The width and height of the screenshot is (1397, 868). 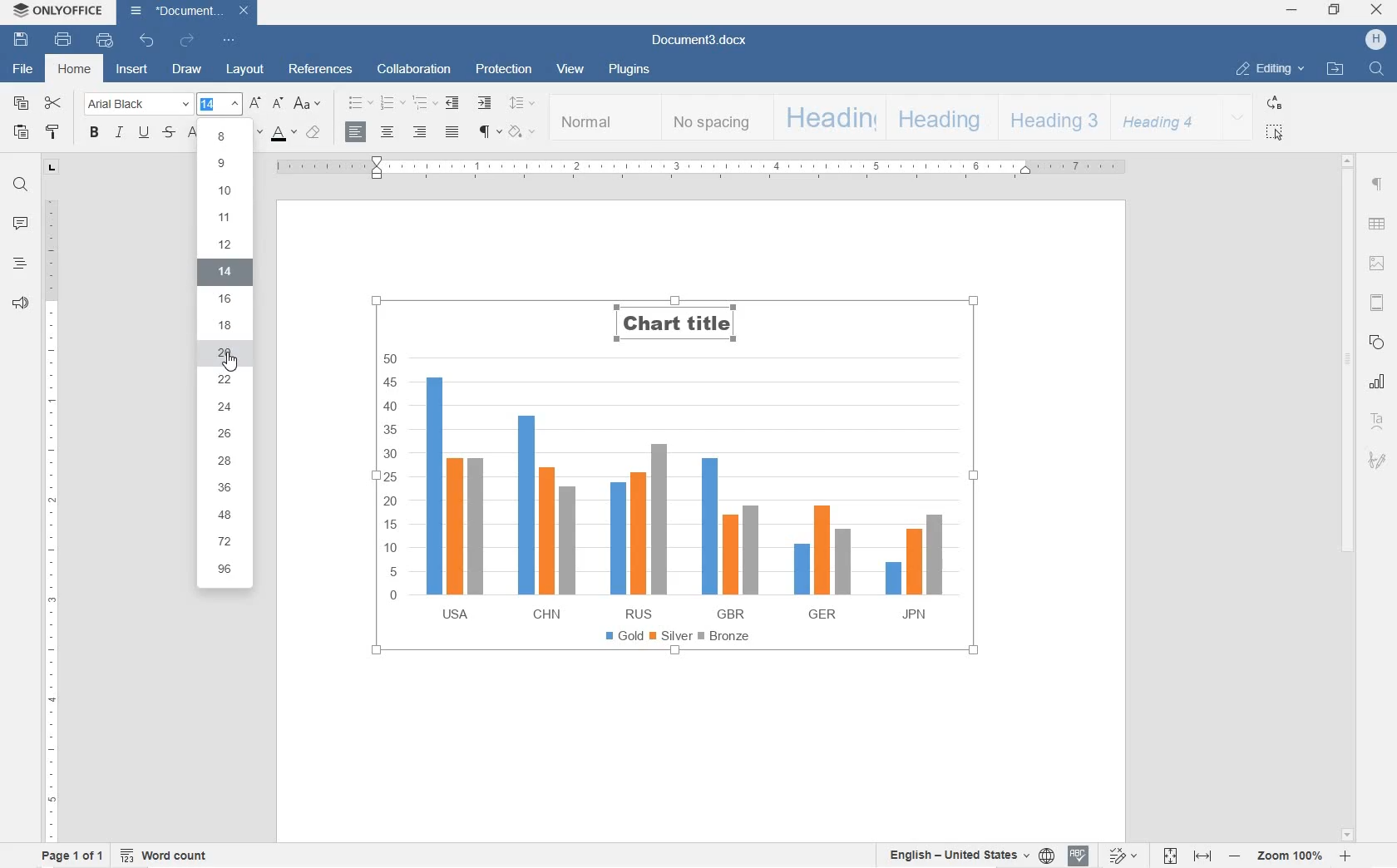 What do you see at coordinates (1336, 68) in the screenshot?
I see `OPEN FILE LOCATION` at bounding box center [1336, 68].